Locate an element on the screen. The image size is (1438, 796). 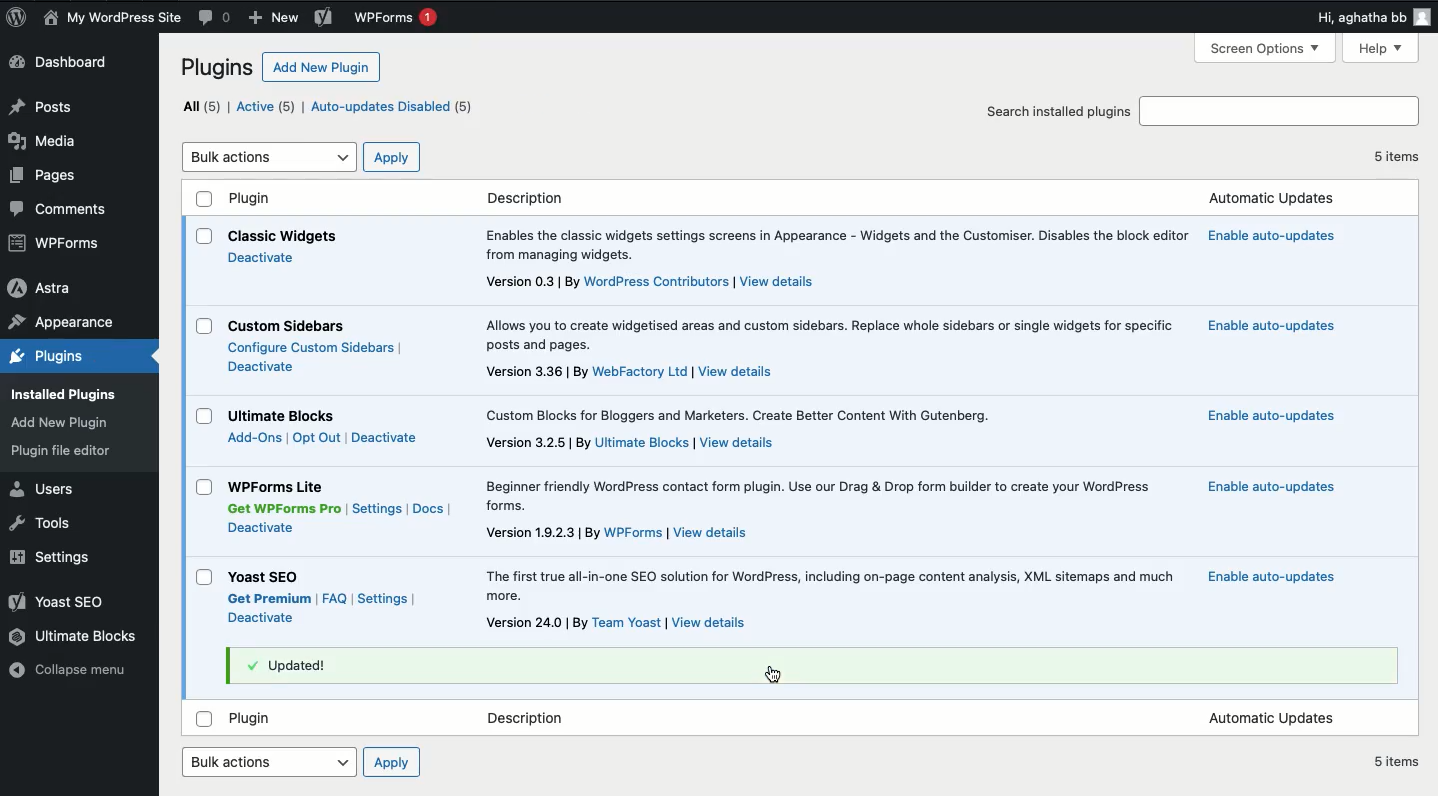
Configure custom sidebars is located at coordinates (314, 348).